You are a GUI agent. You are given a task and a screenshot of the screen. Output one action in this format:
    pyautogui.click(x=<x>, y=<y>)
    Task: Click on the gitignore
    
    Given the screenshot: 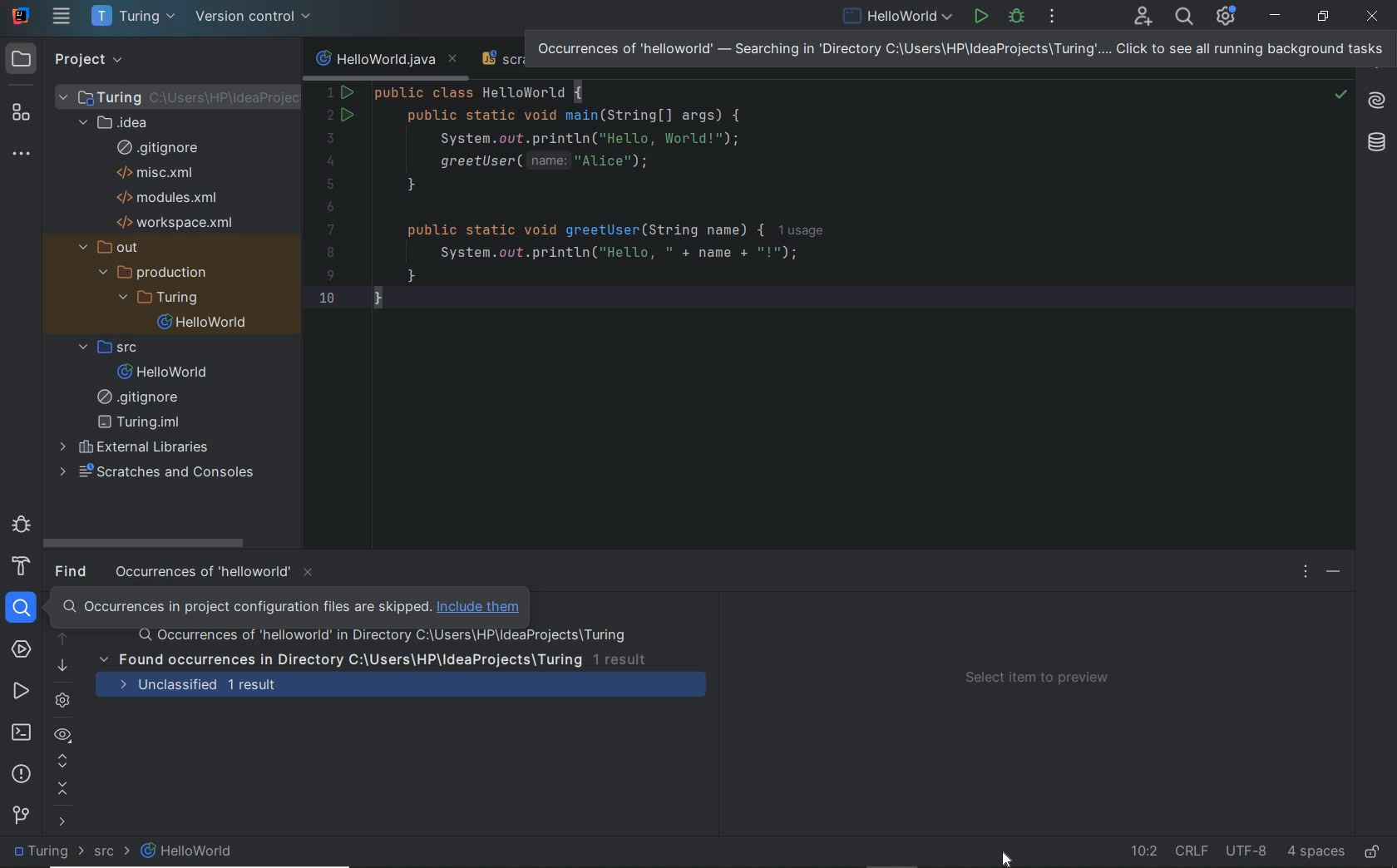 What is the action you would take?
    pyautogui.click(x=163, y=147)
    